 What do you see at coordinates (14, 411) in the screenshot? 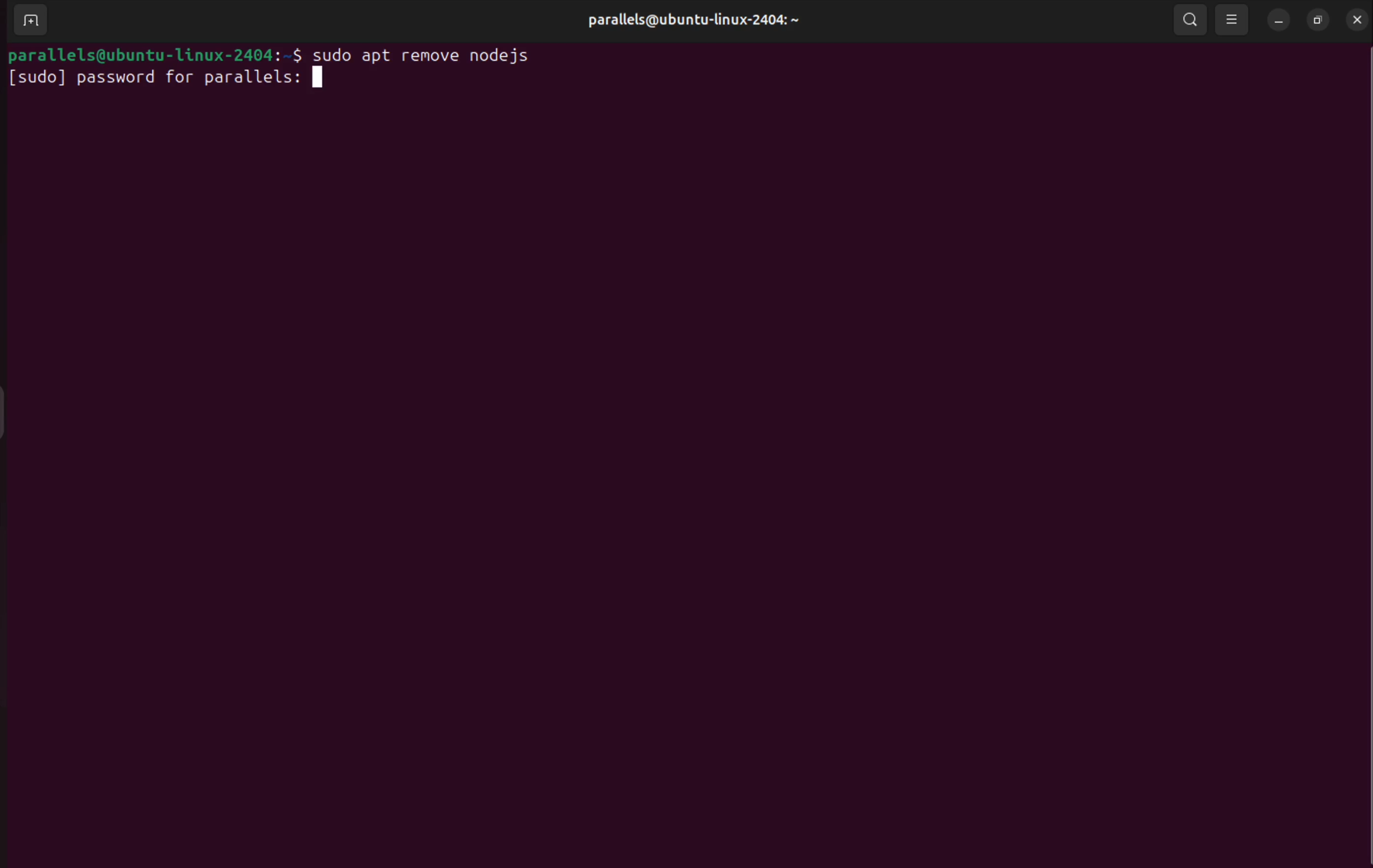
I see `Toggle button` at bounding box center [14, 411].